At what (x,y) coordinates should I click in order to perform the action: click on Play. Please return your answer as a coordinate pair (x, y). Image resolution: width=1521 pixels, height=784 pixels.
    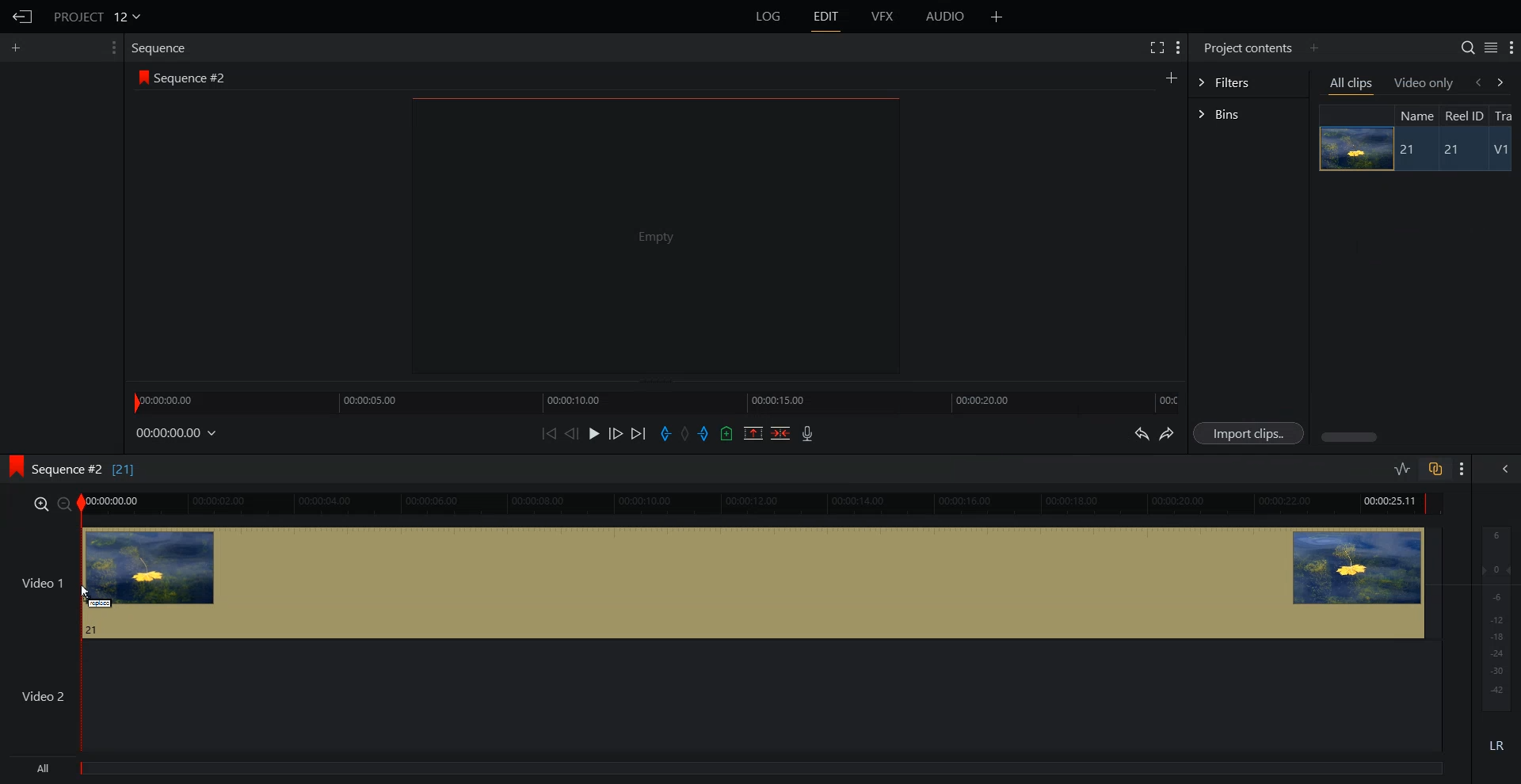
    Looking at the image, I should click on (594, 433).